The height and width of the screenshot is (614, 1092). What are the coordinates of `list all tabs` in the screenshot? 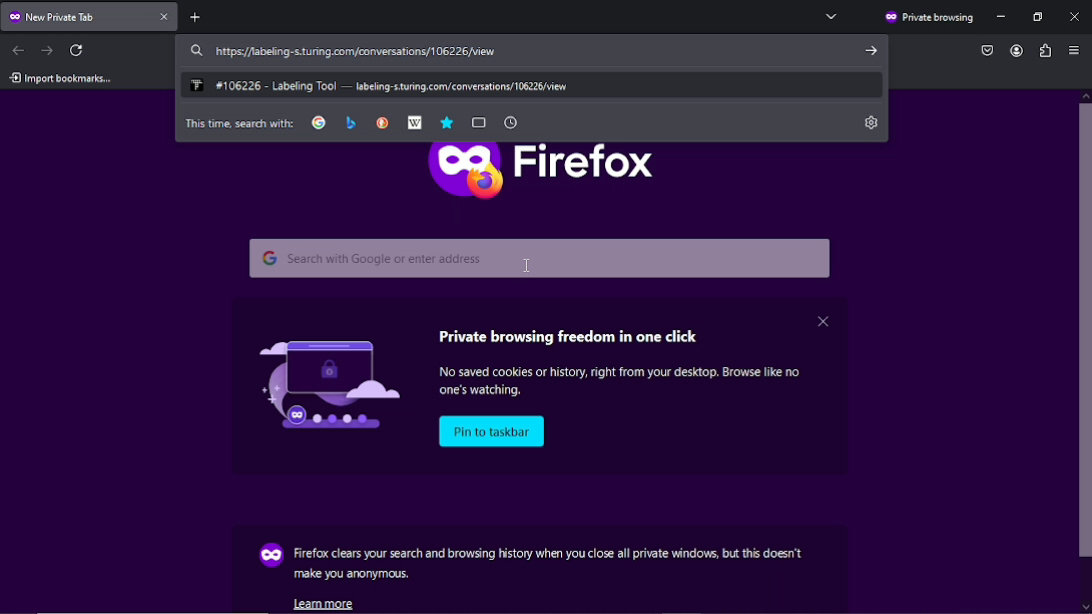 It's located at (832, 16).